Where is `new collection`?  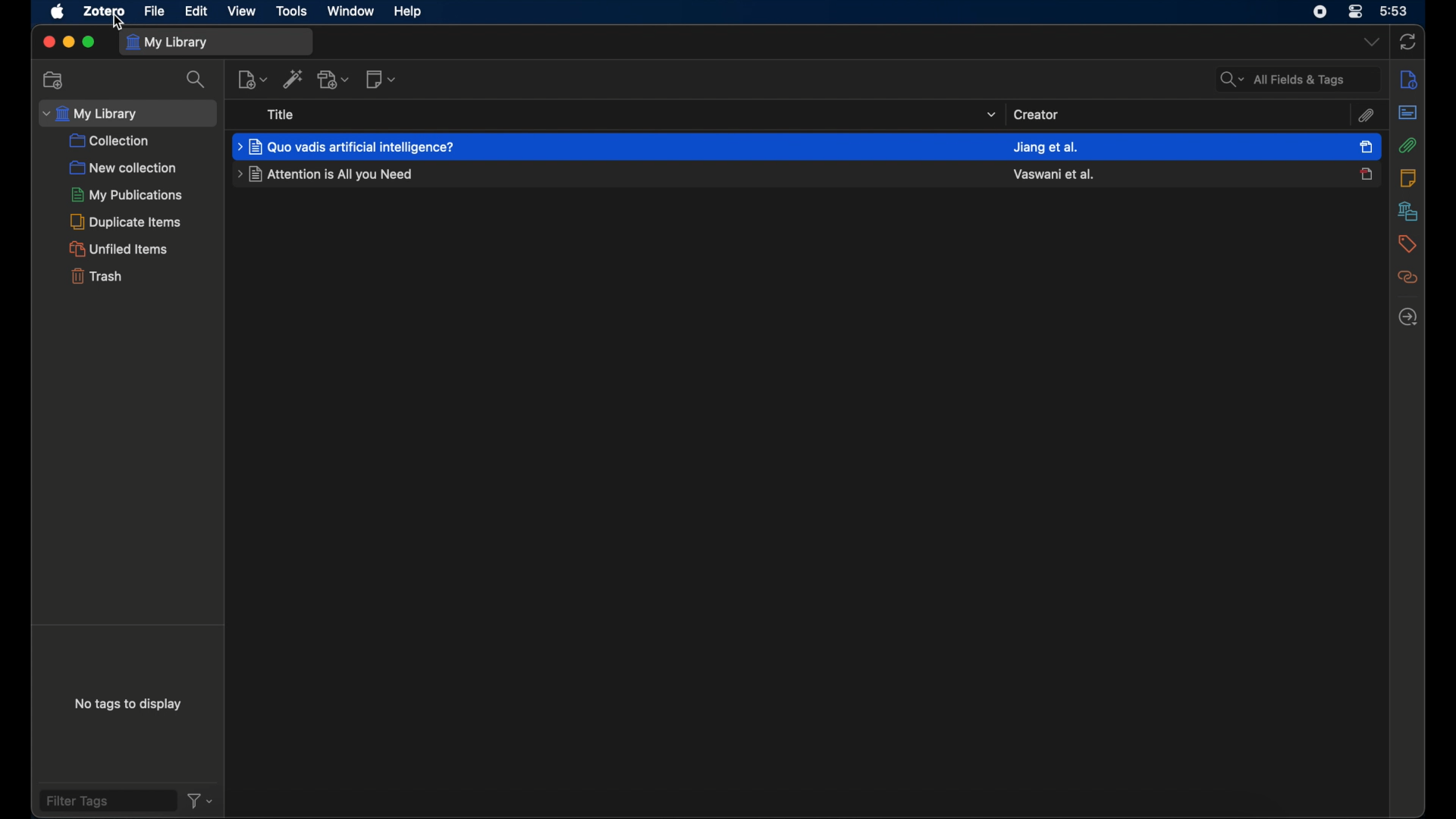
new collection is located at coordinates (52, 80).